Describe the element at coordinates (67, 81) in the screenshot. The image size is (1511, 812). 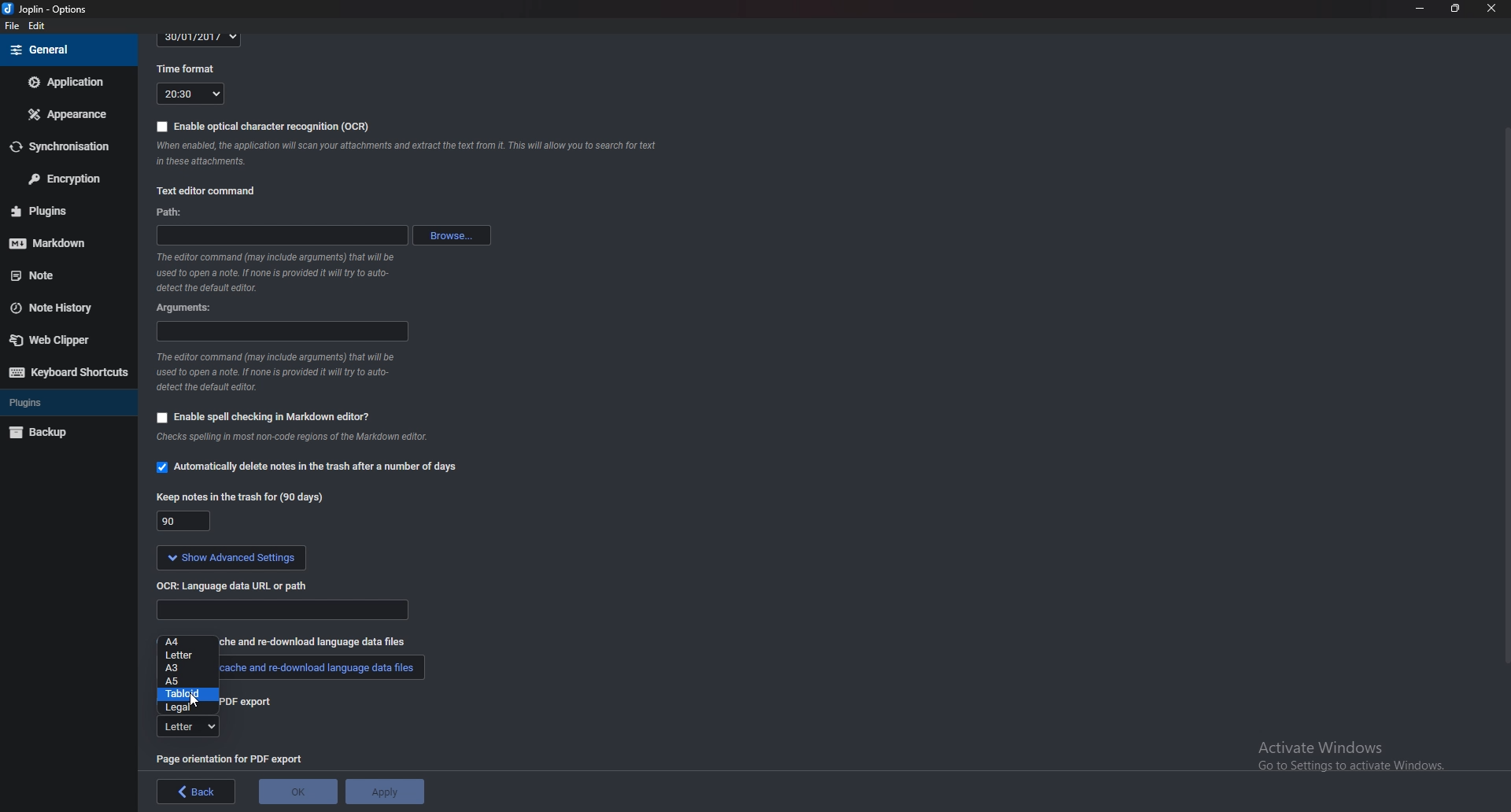
I see `Application` at that location.